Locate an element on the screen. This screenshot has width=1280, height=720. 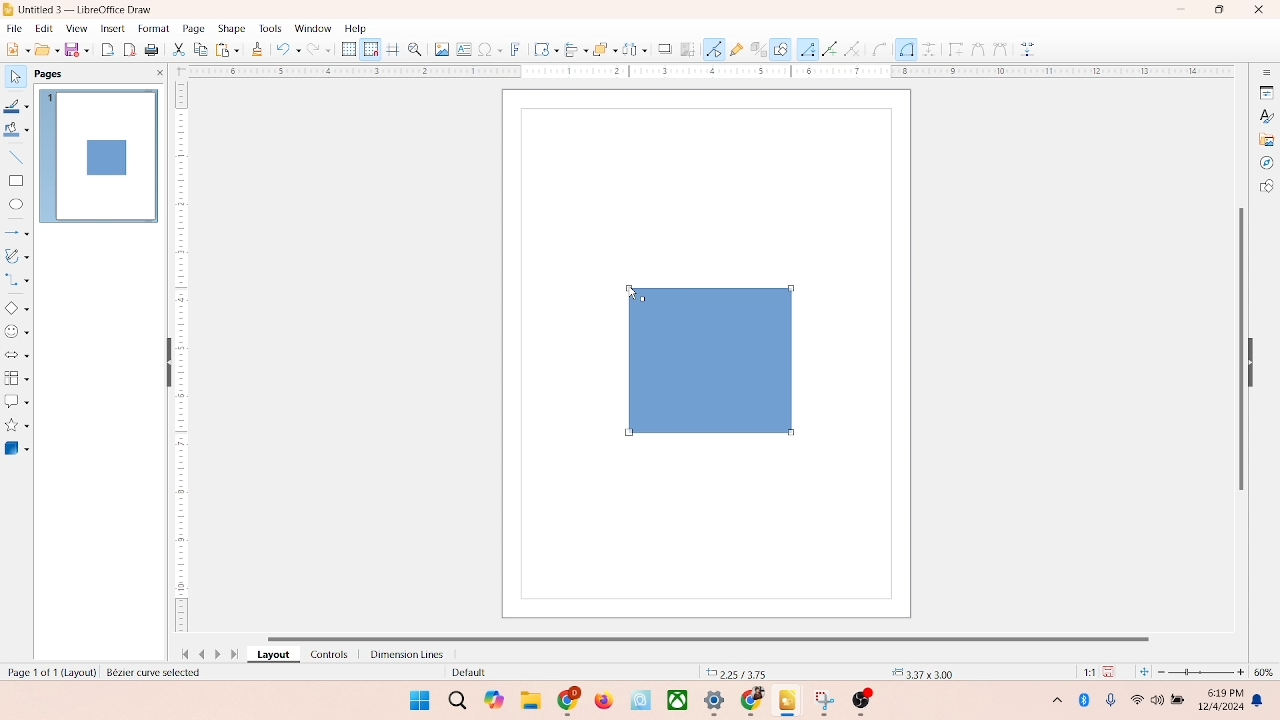
gallery is located at coordinates (1267, 138).